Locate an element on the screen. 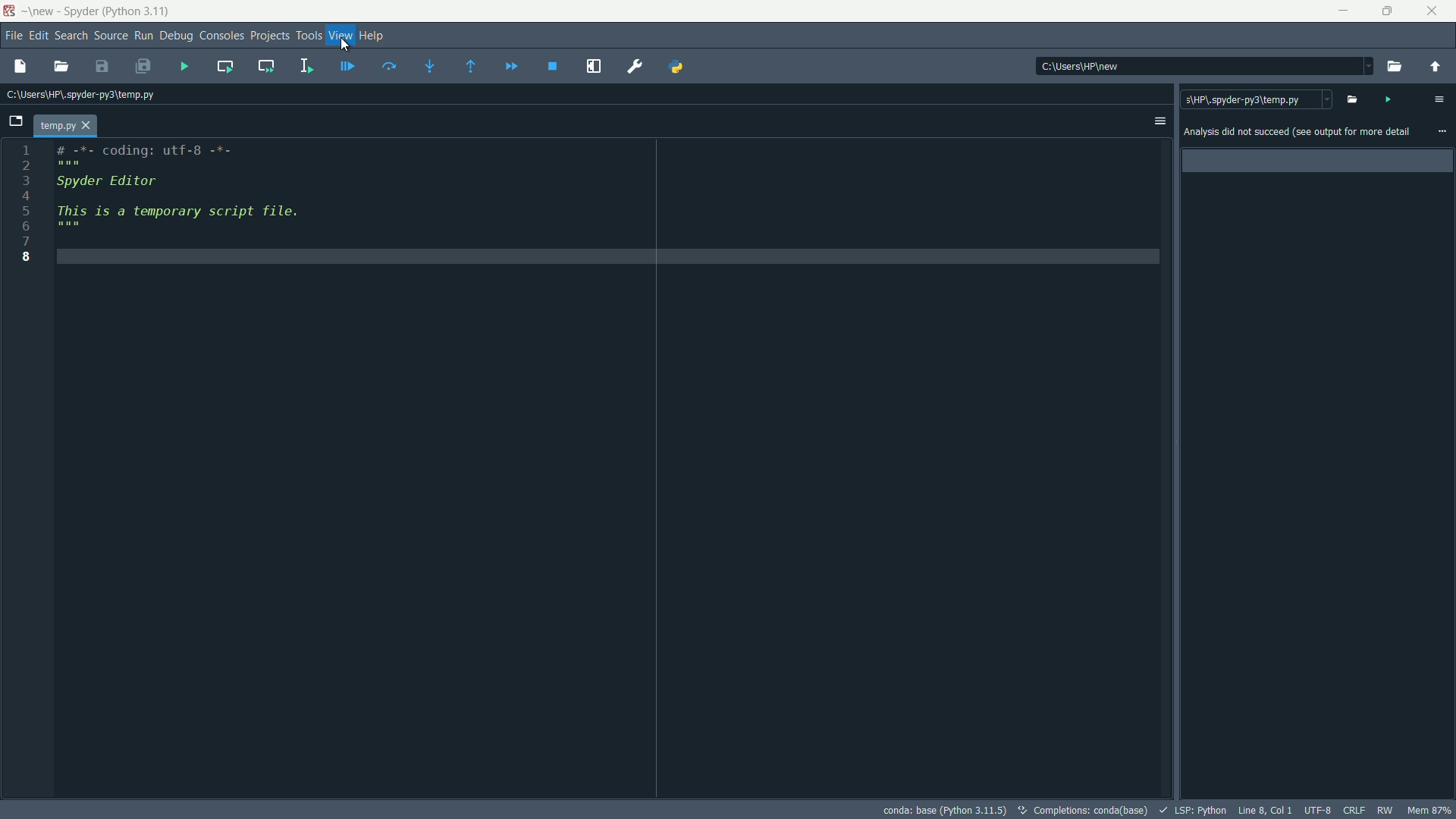 This screenshot has width=1456, height=819. rw is located at coordinates (1388, 810).